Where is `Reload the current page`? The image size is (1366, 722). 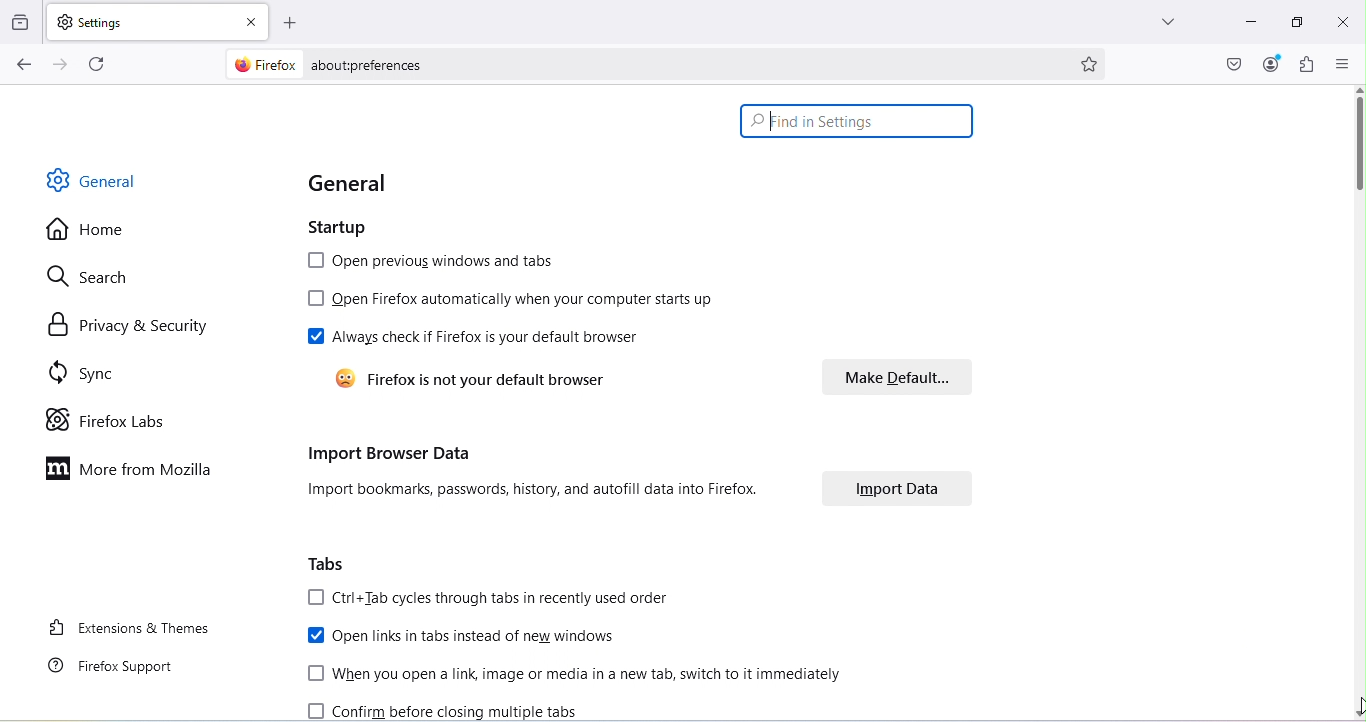
Reload the current page is located at coordinates (96, 65).